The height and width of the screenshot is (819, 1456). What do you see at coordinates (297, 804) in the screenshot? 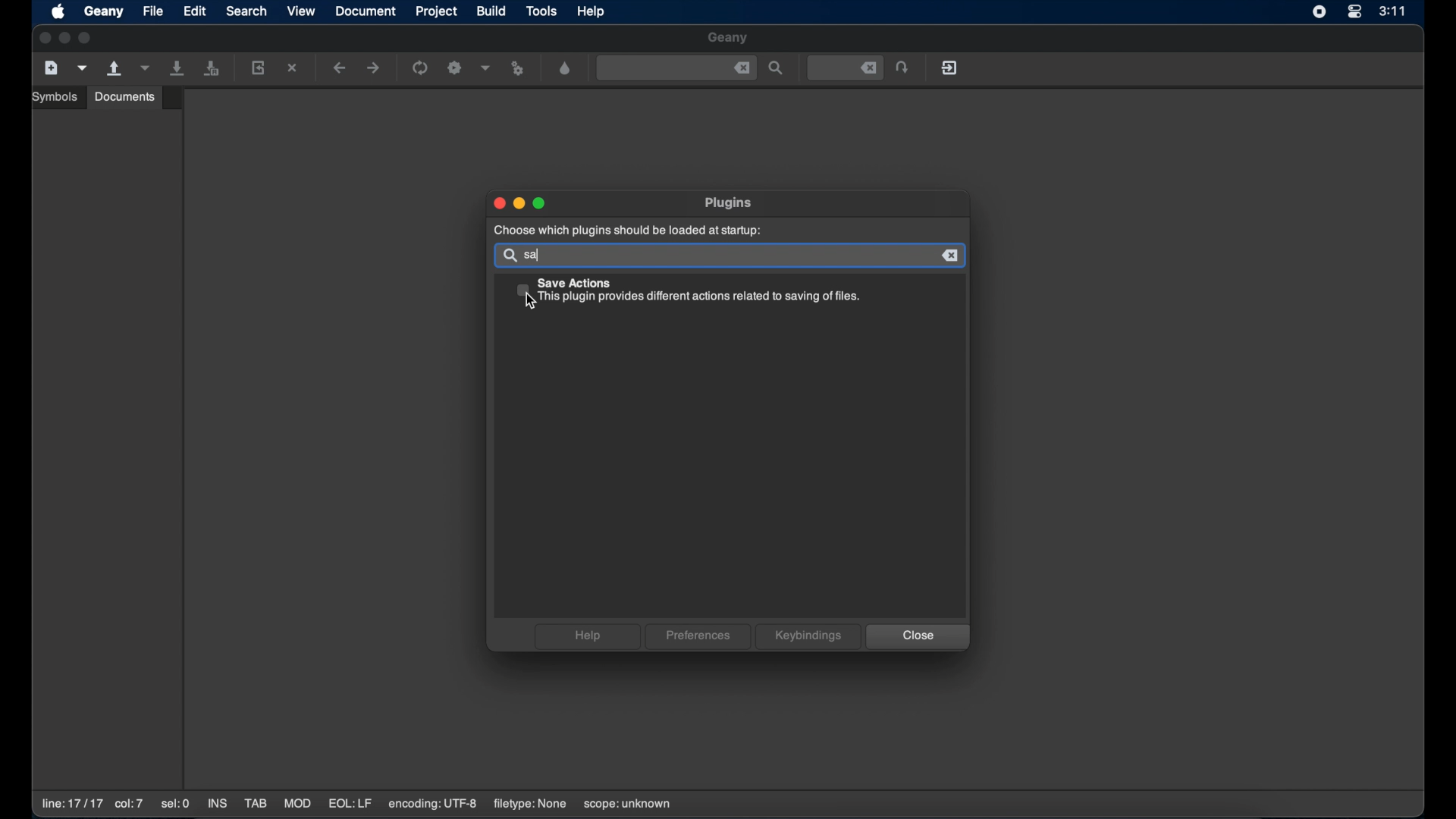
I see `MOD` at bounding box center [297, 804].